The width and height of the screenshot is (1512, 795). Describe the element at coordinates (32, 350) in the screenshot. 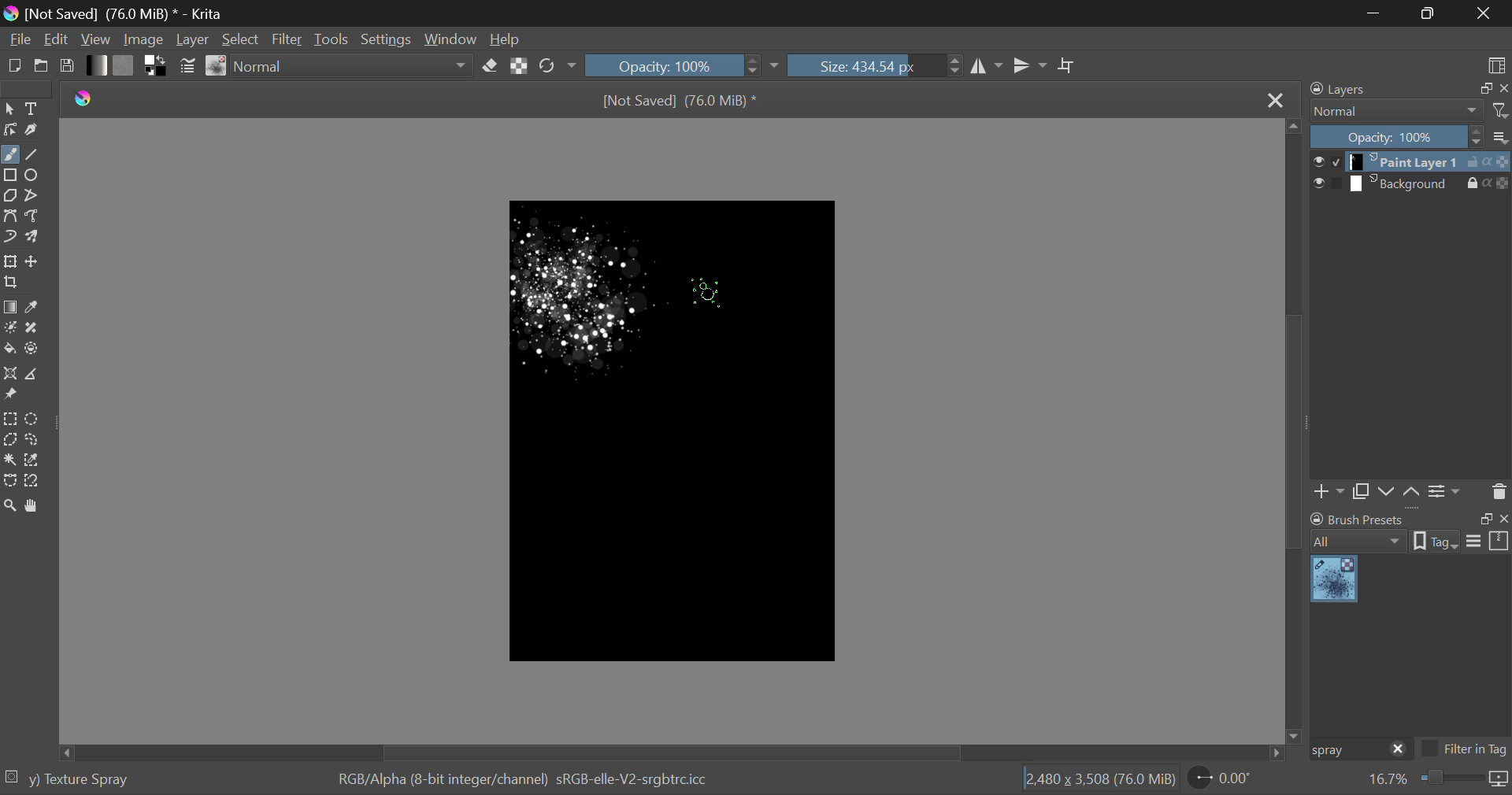

I see `Enclose and Fill` at that location.